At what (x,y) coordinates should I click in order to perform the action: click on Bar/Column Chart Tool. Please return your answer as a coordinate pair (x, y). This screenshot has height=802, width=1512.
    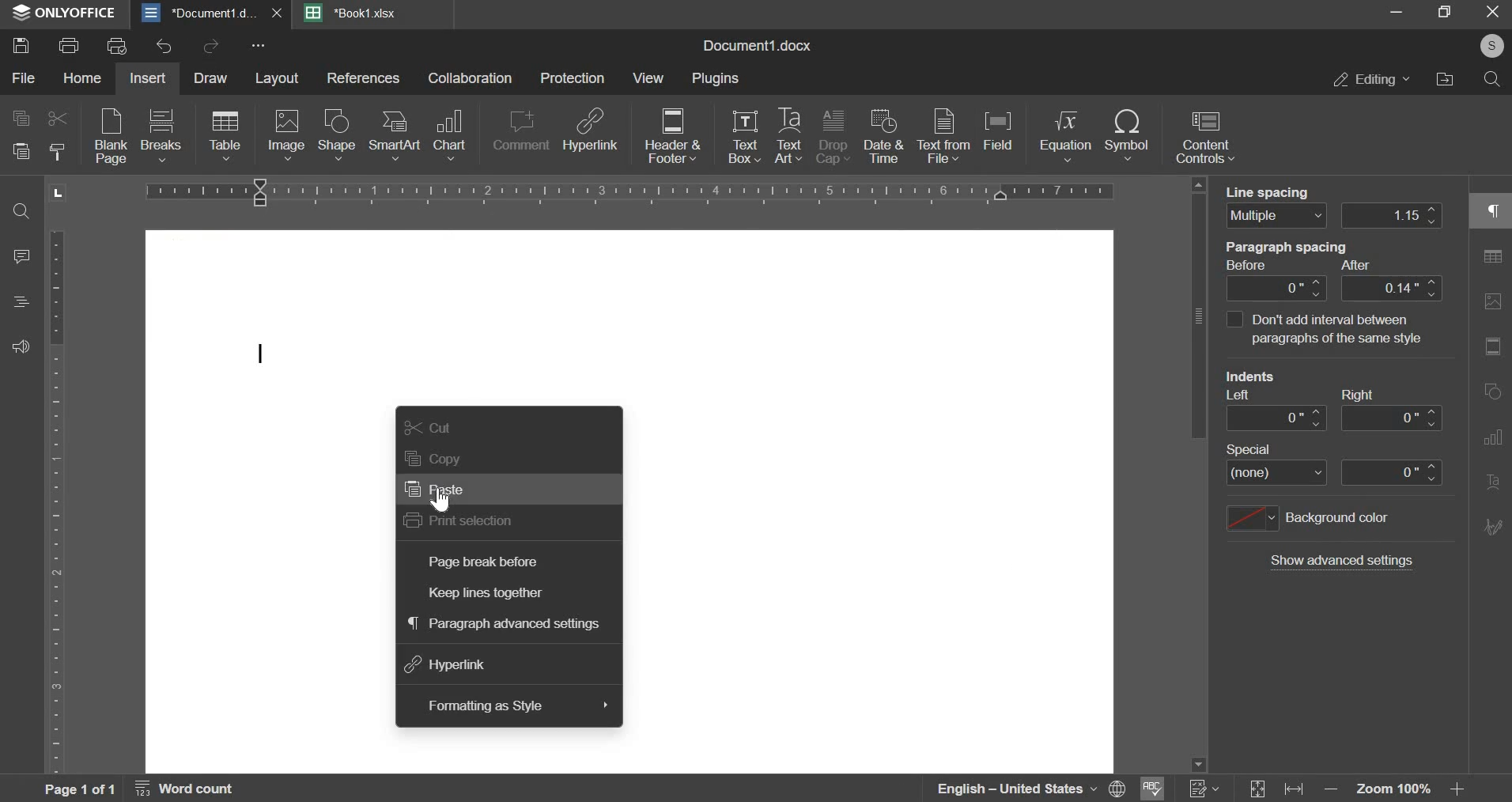
    Looking at the image, I should click on (1493, 392).